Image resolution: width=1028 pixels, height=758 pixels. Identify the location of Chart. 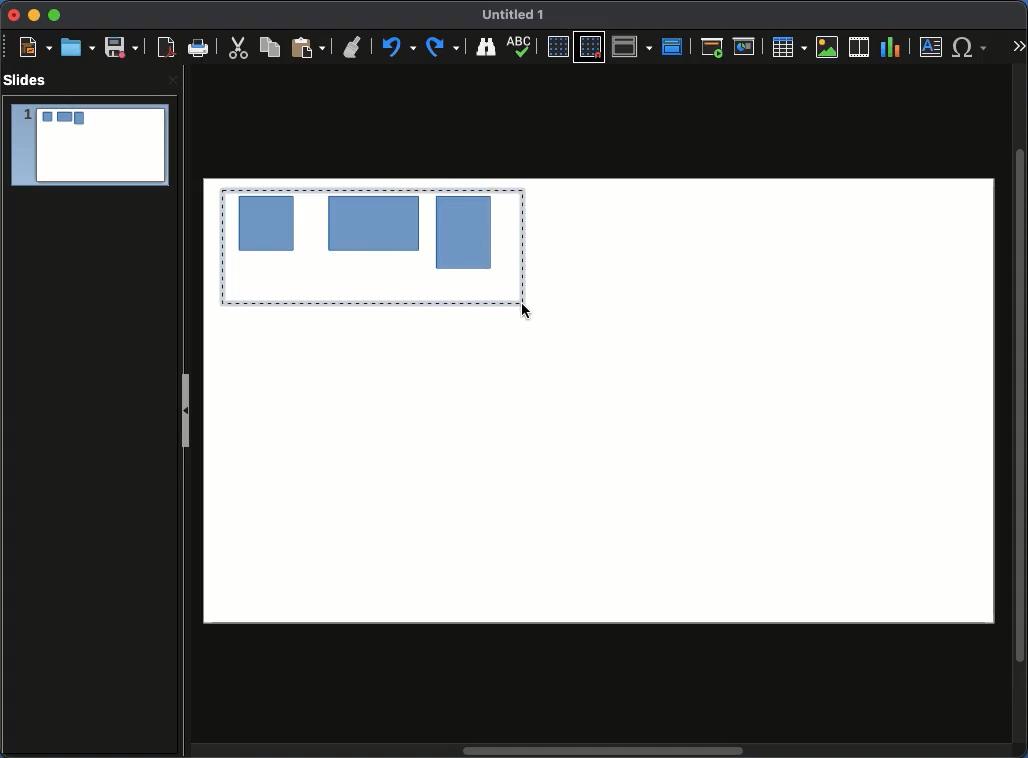
(892, 48).